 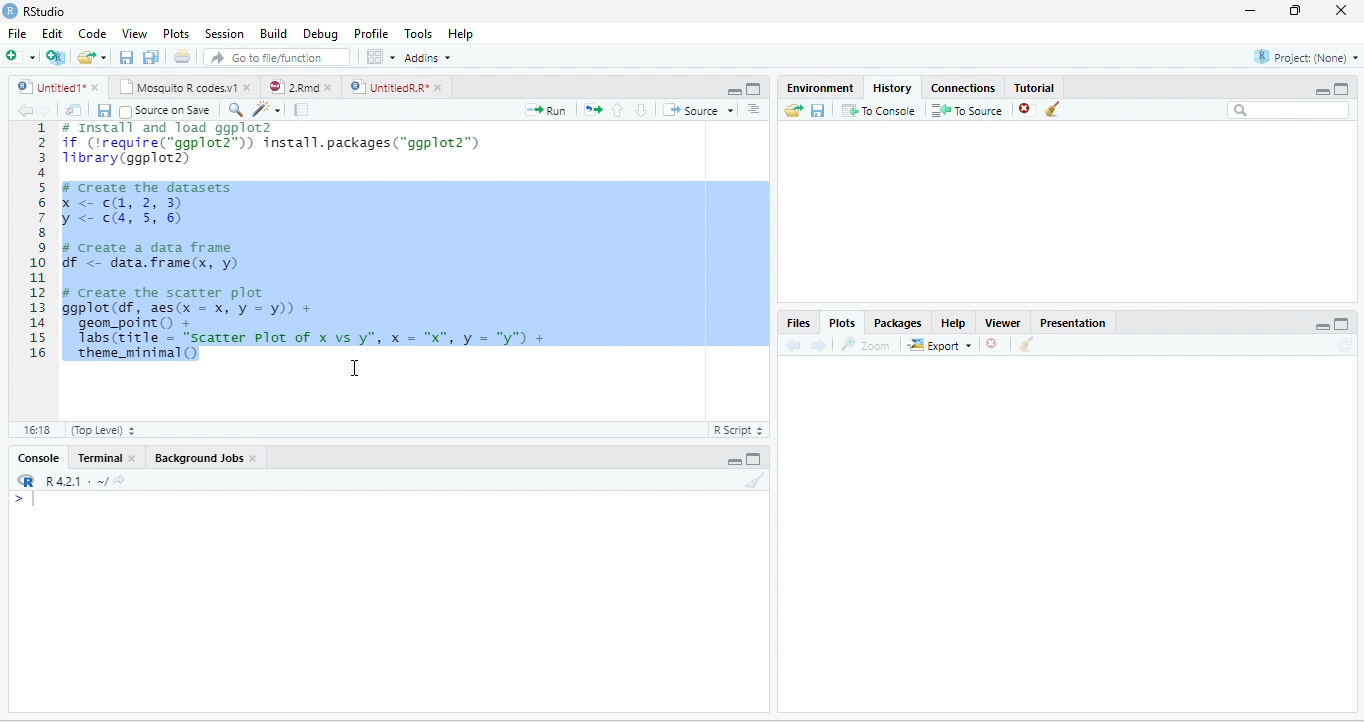 What do you see at coordinates (820, 88) in the screenshot?
I see `Environment` at bounding box center [820, 88].